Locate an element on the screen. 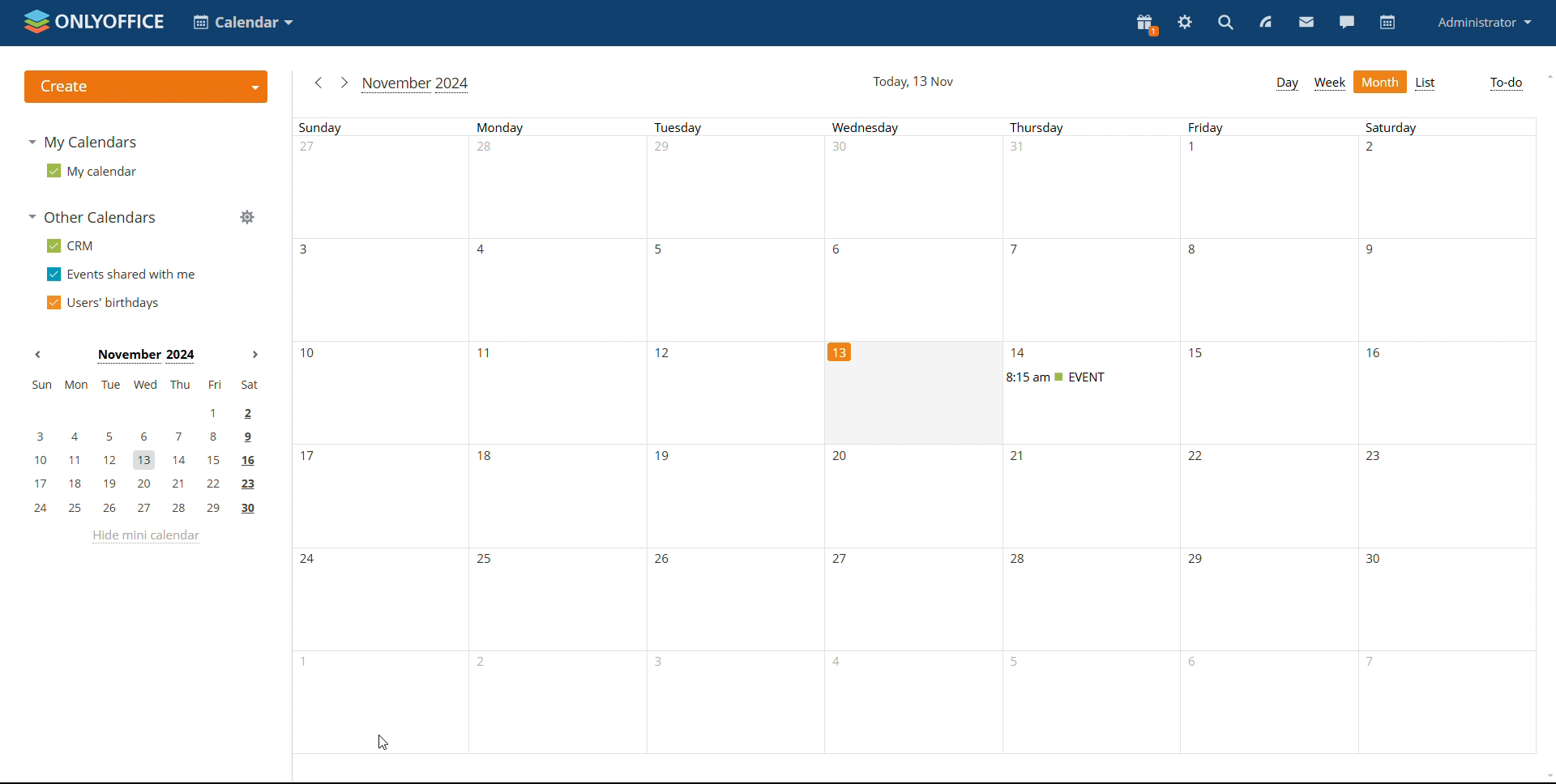 The image size is (1556, 784). hide mini calendar is located at coordinates (144, 537).